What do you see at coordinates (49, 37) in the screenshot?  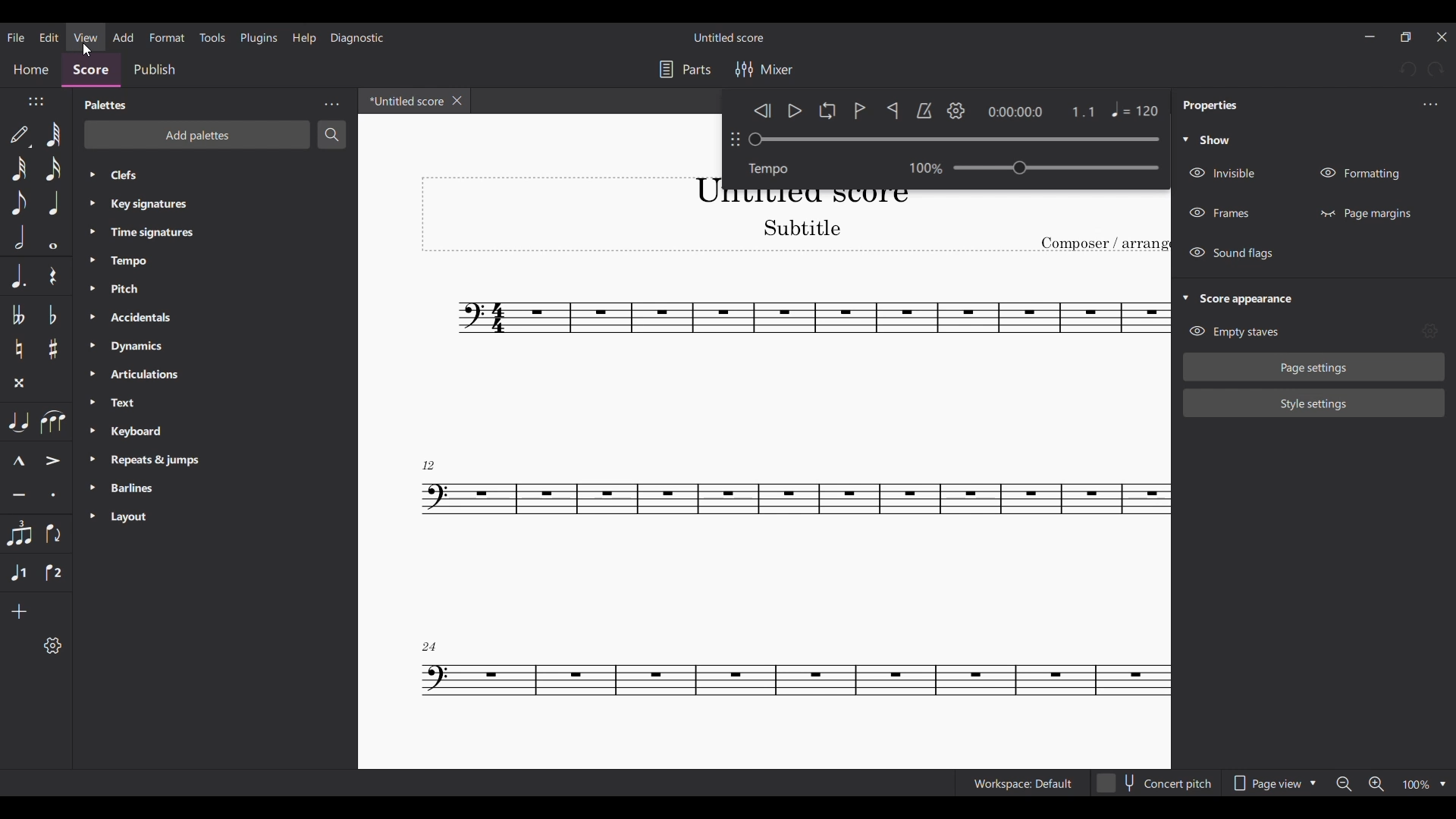 I see `Edit` at bounding box center [49, 37].